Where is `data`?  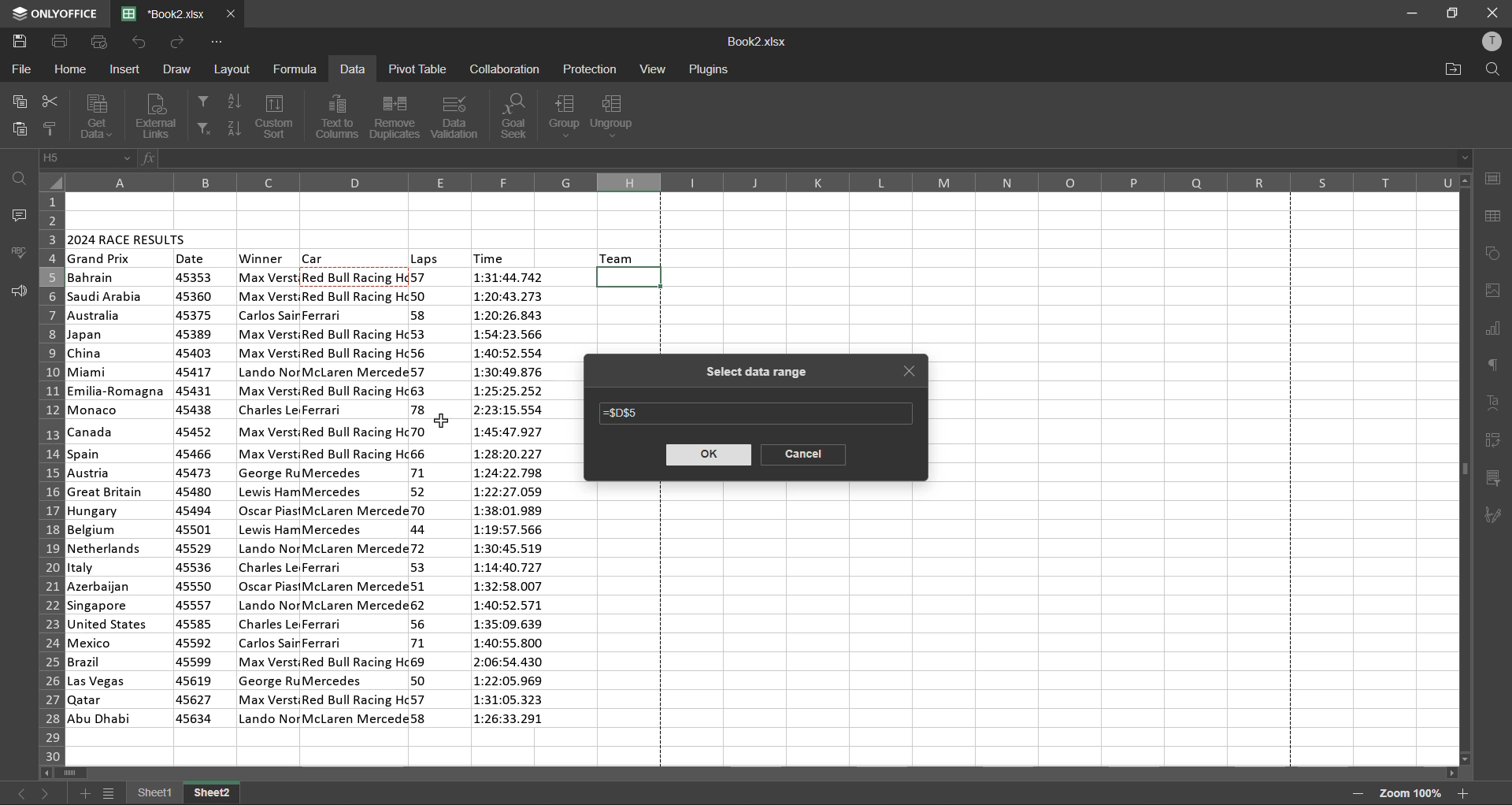 data is located at coordinates (352, 71).